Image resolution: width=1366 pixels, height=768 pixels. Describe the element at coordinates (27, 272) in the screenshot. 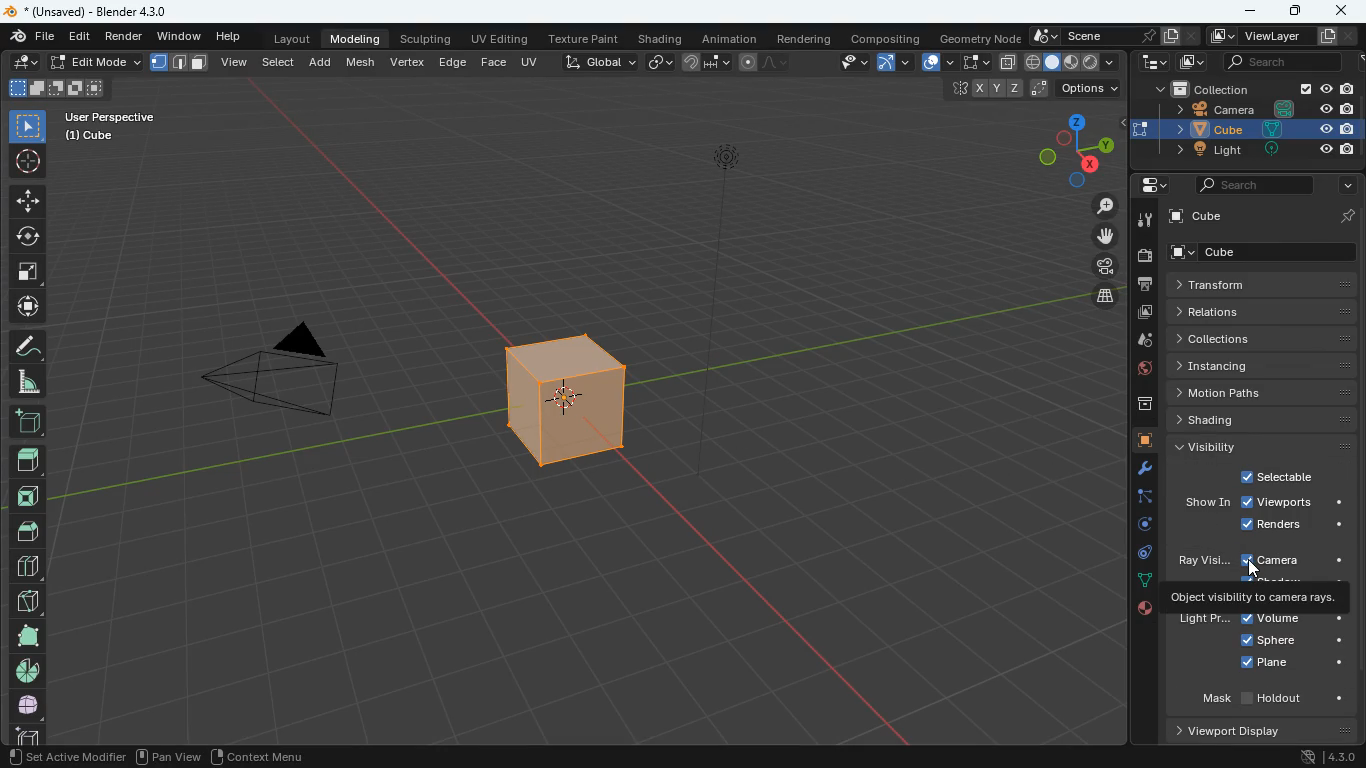

I see `fullscreen` at that location.